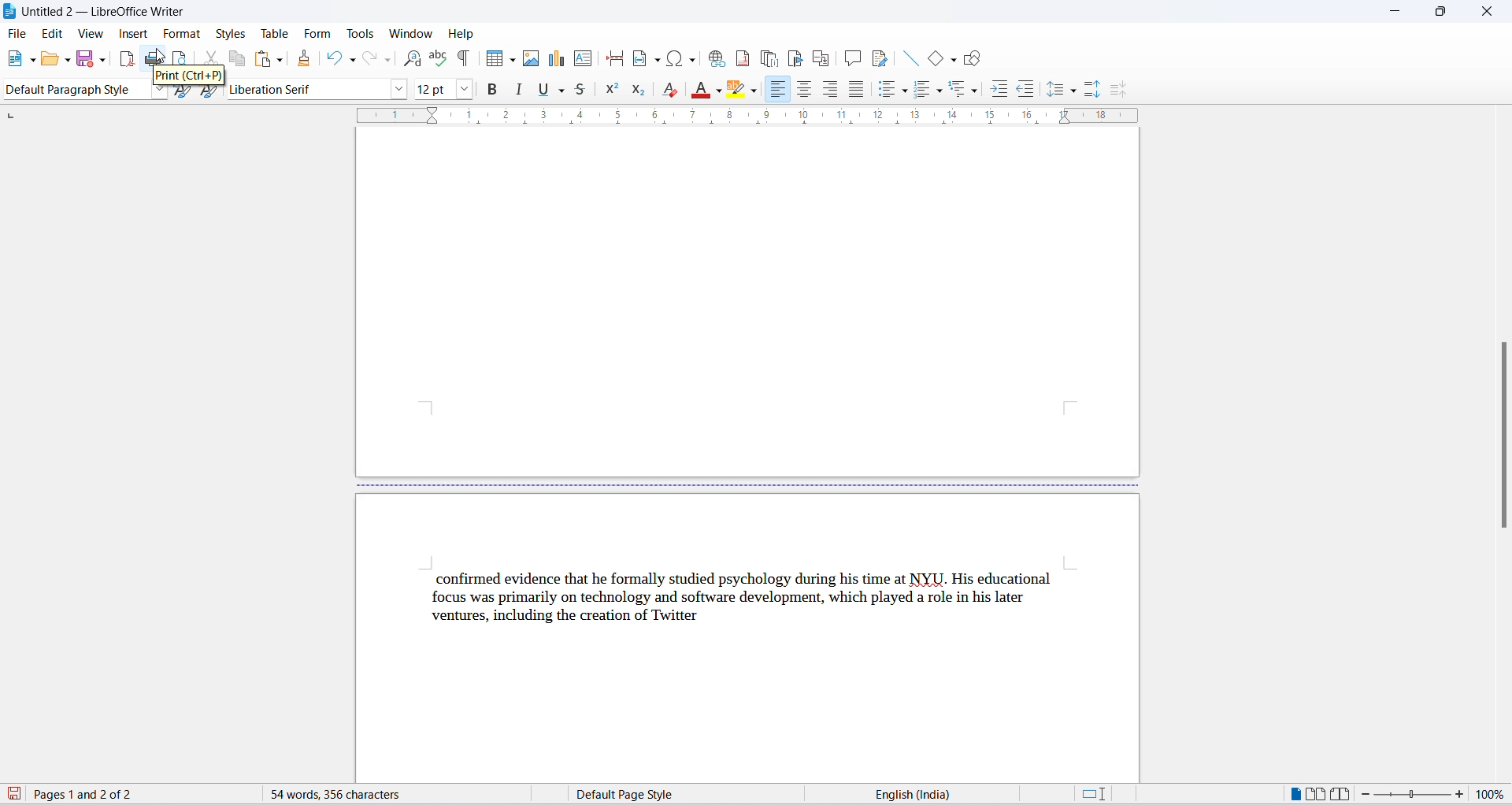  I want to click on insert footnote, so click(739, 58).